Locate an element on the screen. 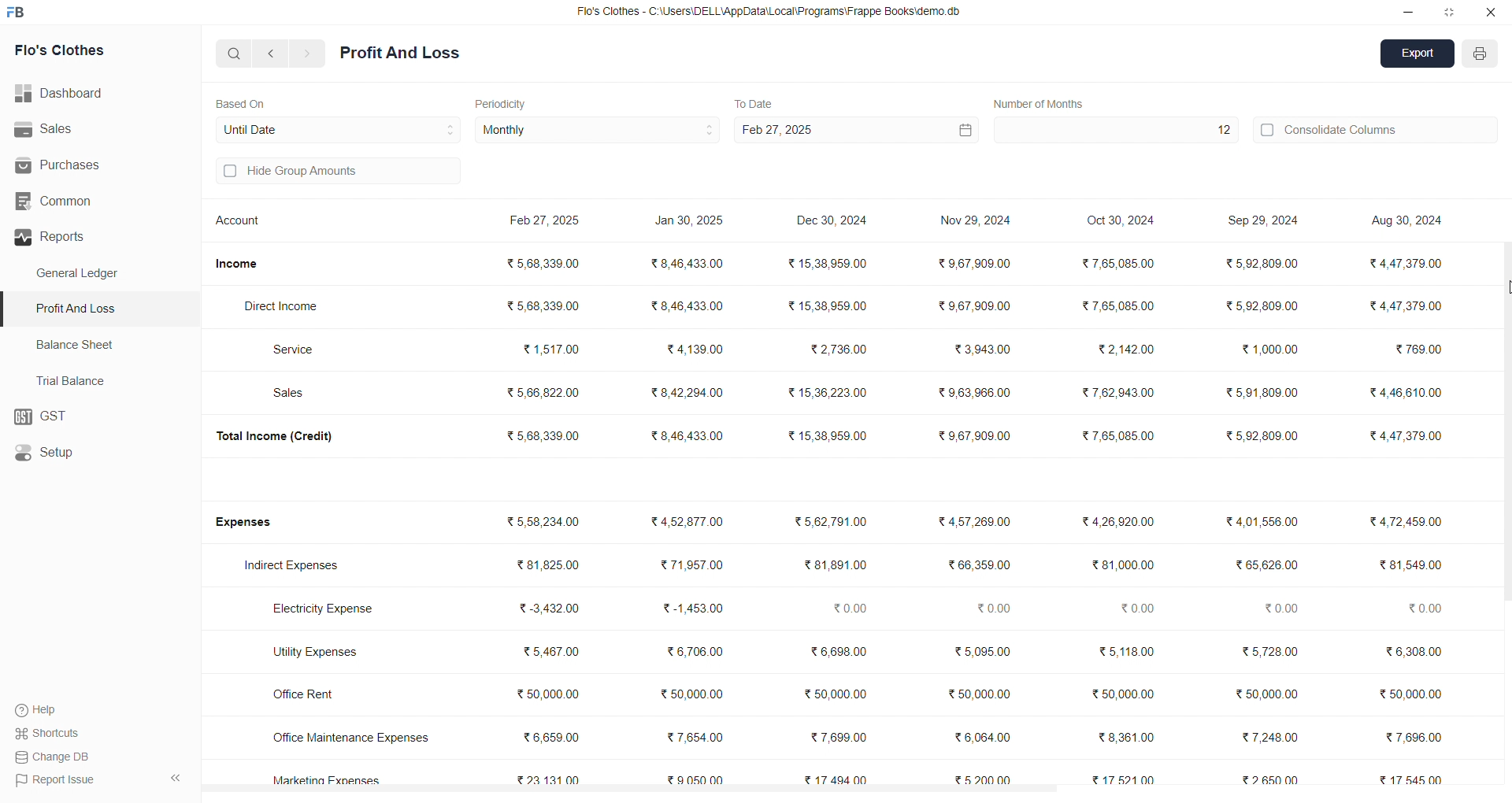 The height and width of the screenshot is (803, 1512). Nov 29, 2024 is located at coordinates (975, 217).